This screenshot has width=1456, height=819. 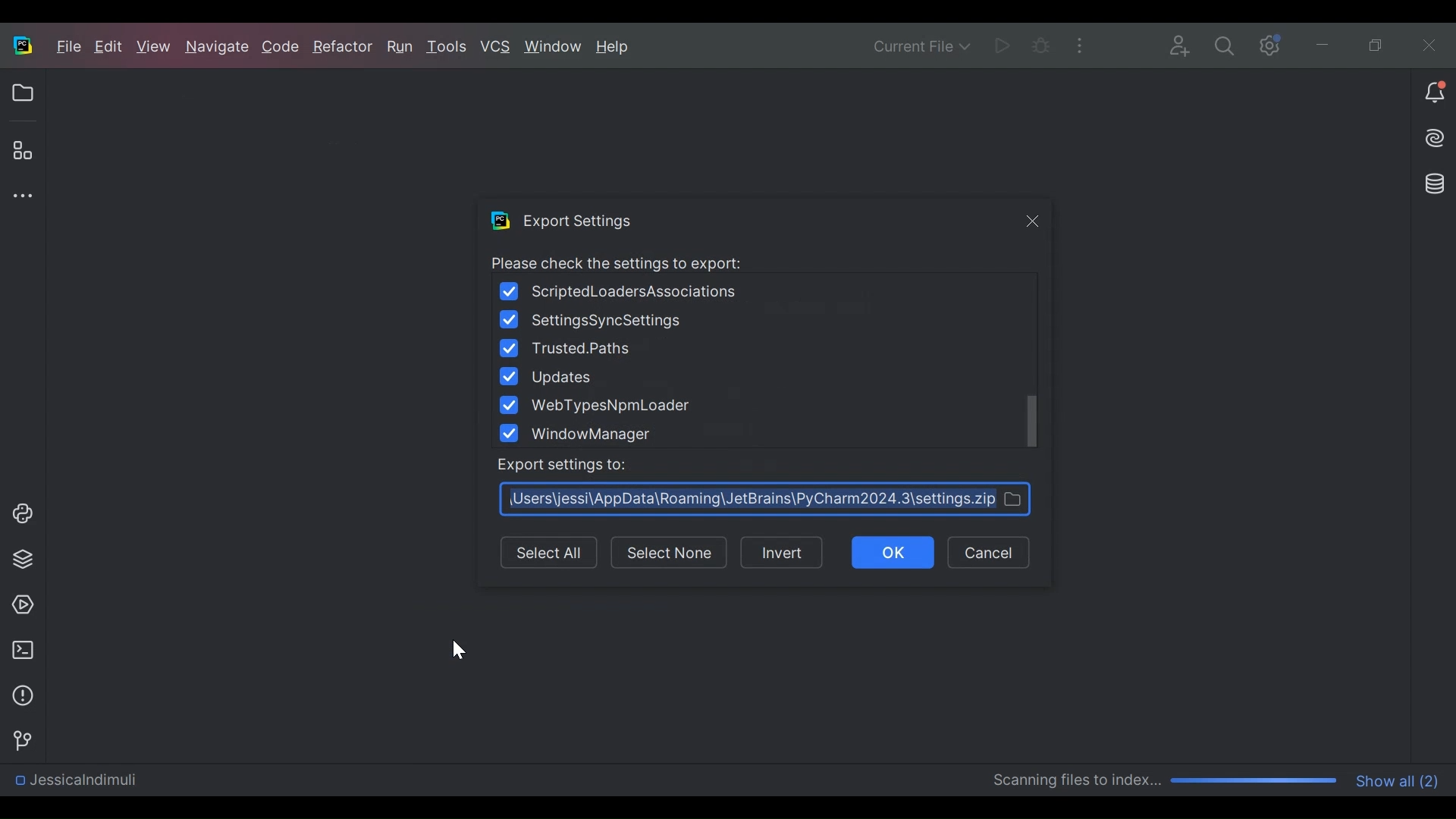 What do you see at coordinates (1400, 780) in the screenshot?
I see `Show all` at bounding box center [1400, 780].